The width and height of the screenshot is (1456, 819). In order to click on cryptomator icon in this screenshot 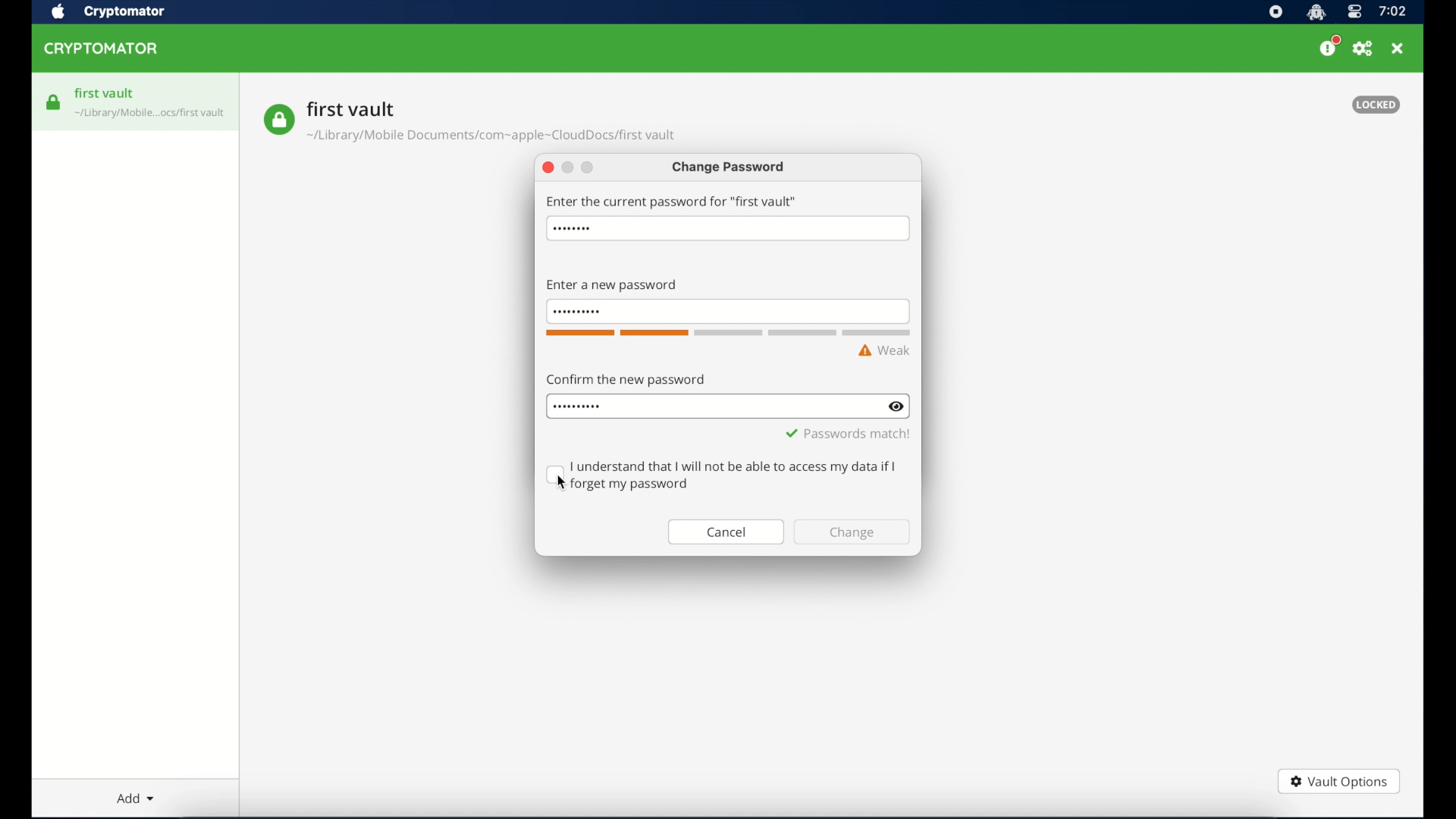, I will do `click(1316, 13)`.